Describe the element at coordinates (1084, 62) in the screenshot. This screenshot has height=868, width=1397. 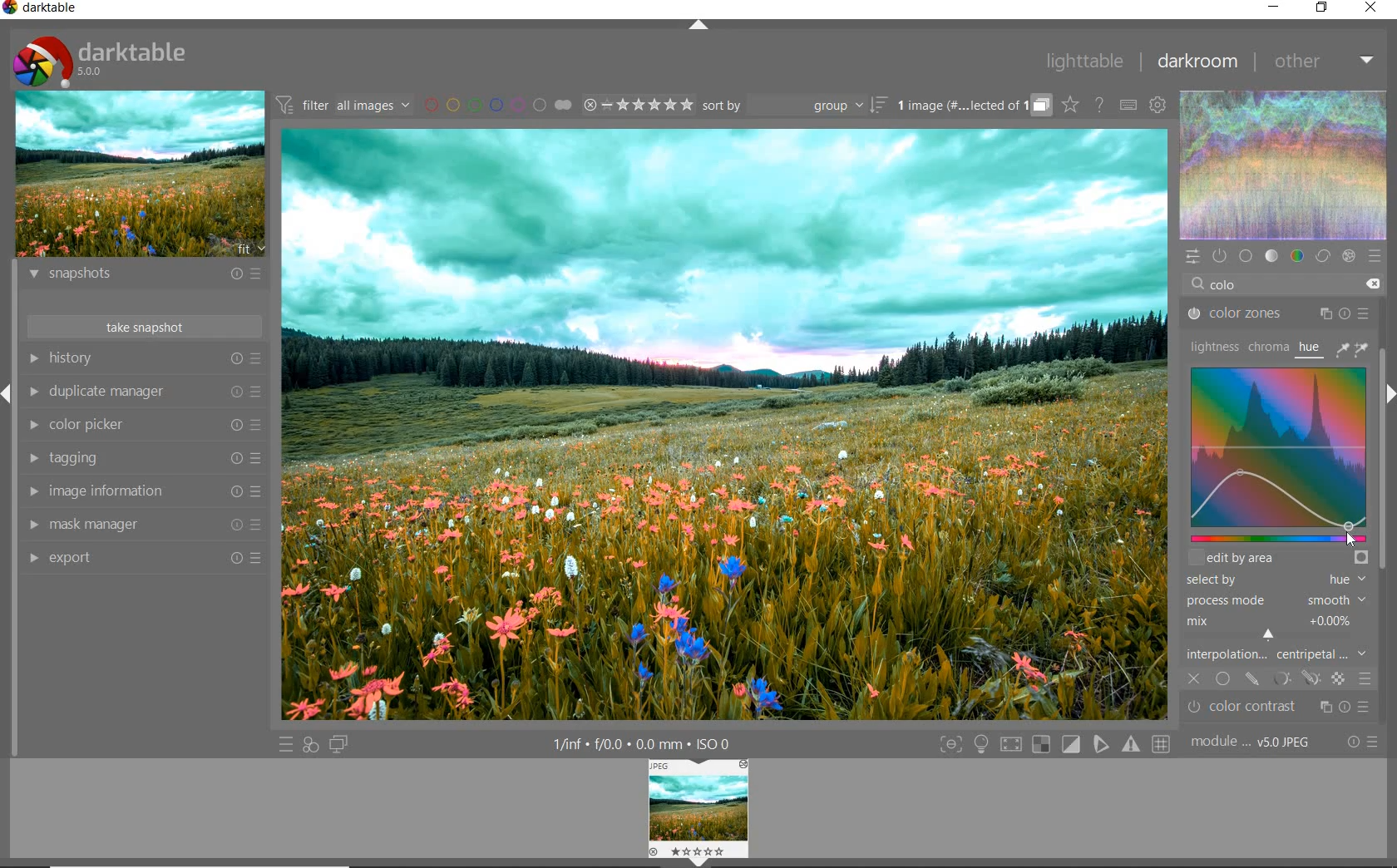
I see `lighttable` at that location.